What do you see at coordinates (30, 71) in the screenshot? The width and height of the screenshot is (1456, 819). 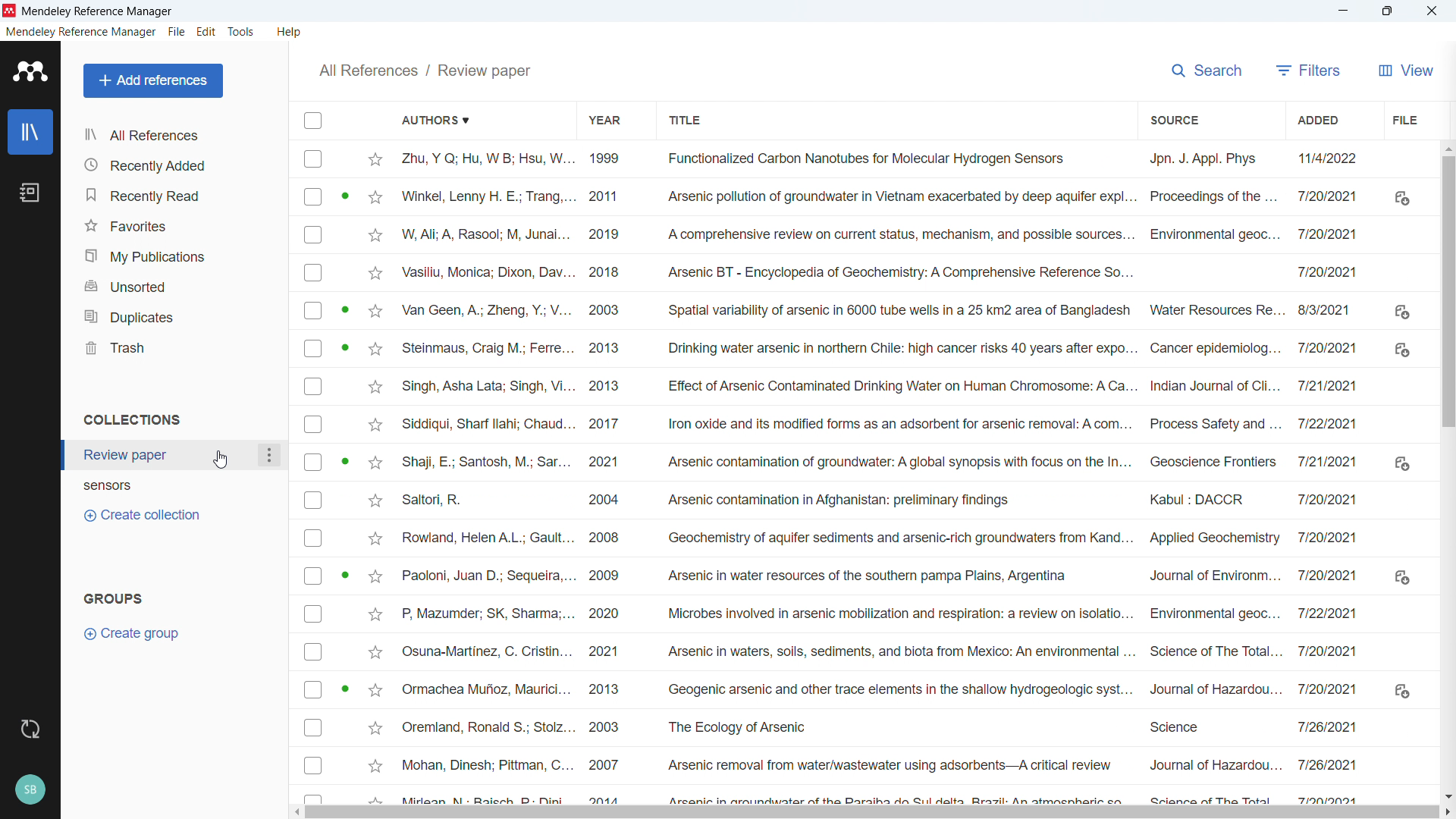 I see `Logo ` at bounding box center [30, 71].